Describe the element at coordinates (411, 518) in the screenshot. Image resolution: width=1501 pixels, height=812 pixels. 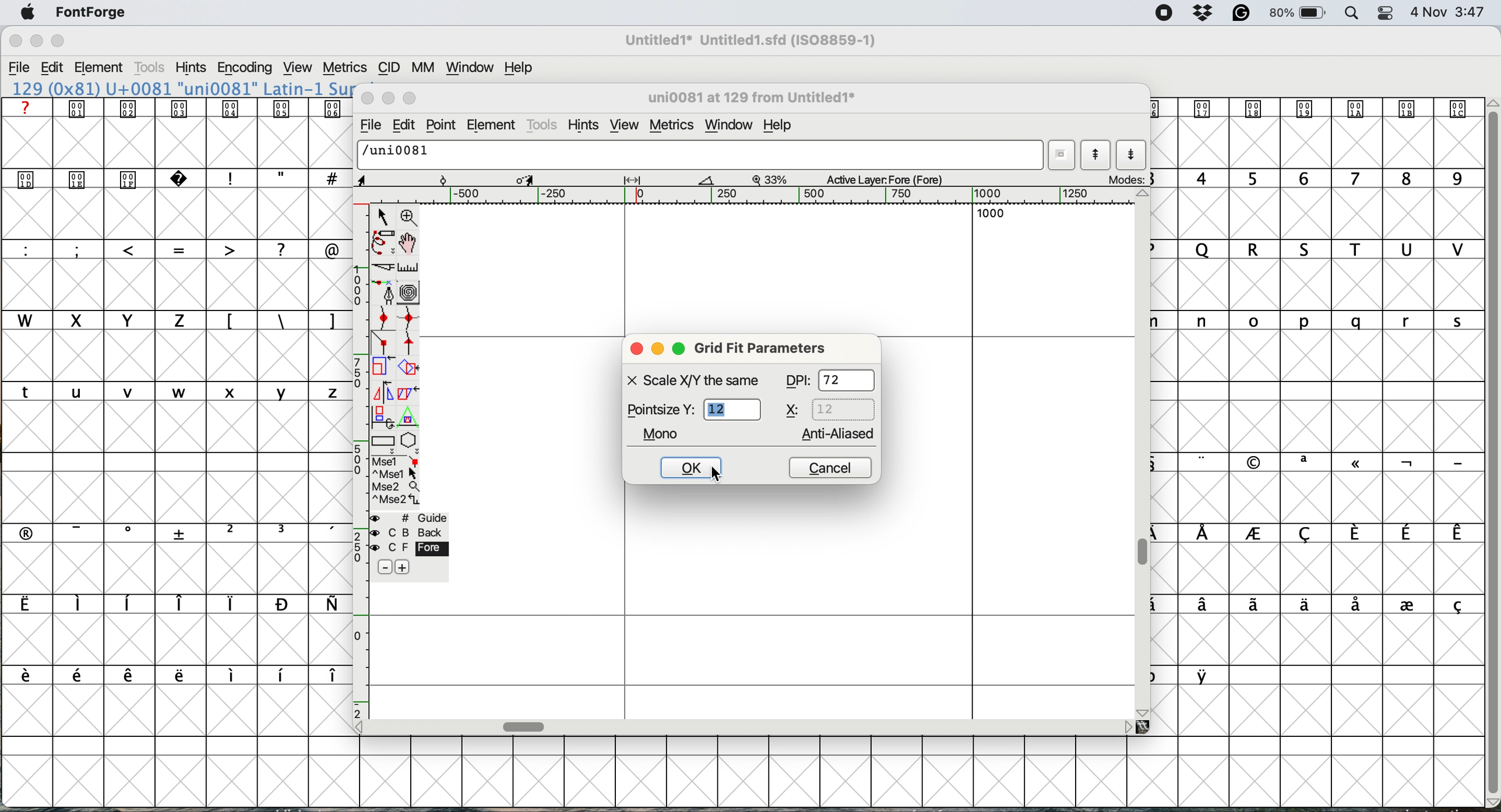
I see `# Guide` at that location.